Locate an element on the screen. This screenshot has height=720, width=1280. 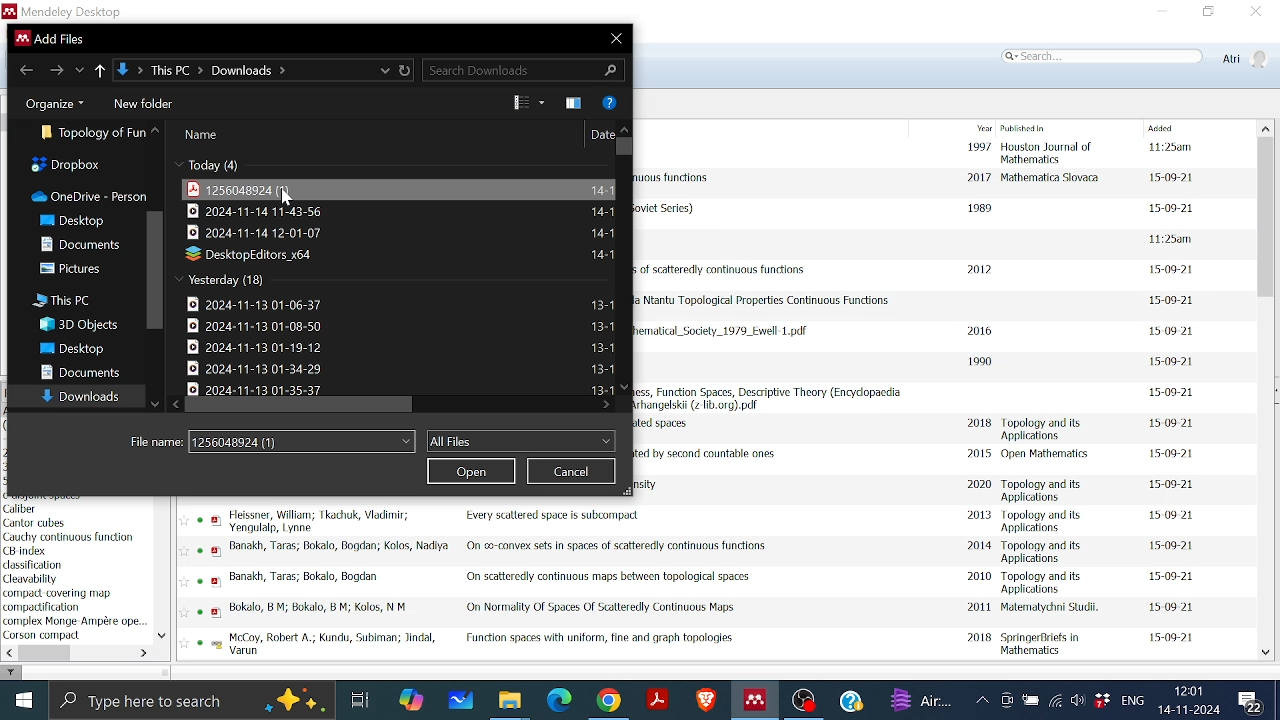
 is located at coordinates (1265, 126).